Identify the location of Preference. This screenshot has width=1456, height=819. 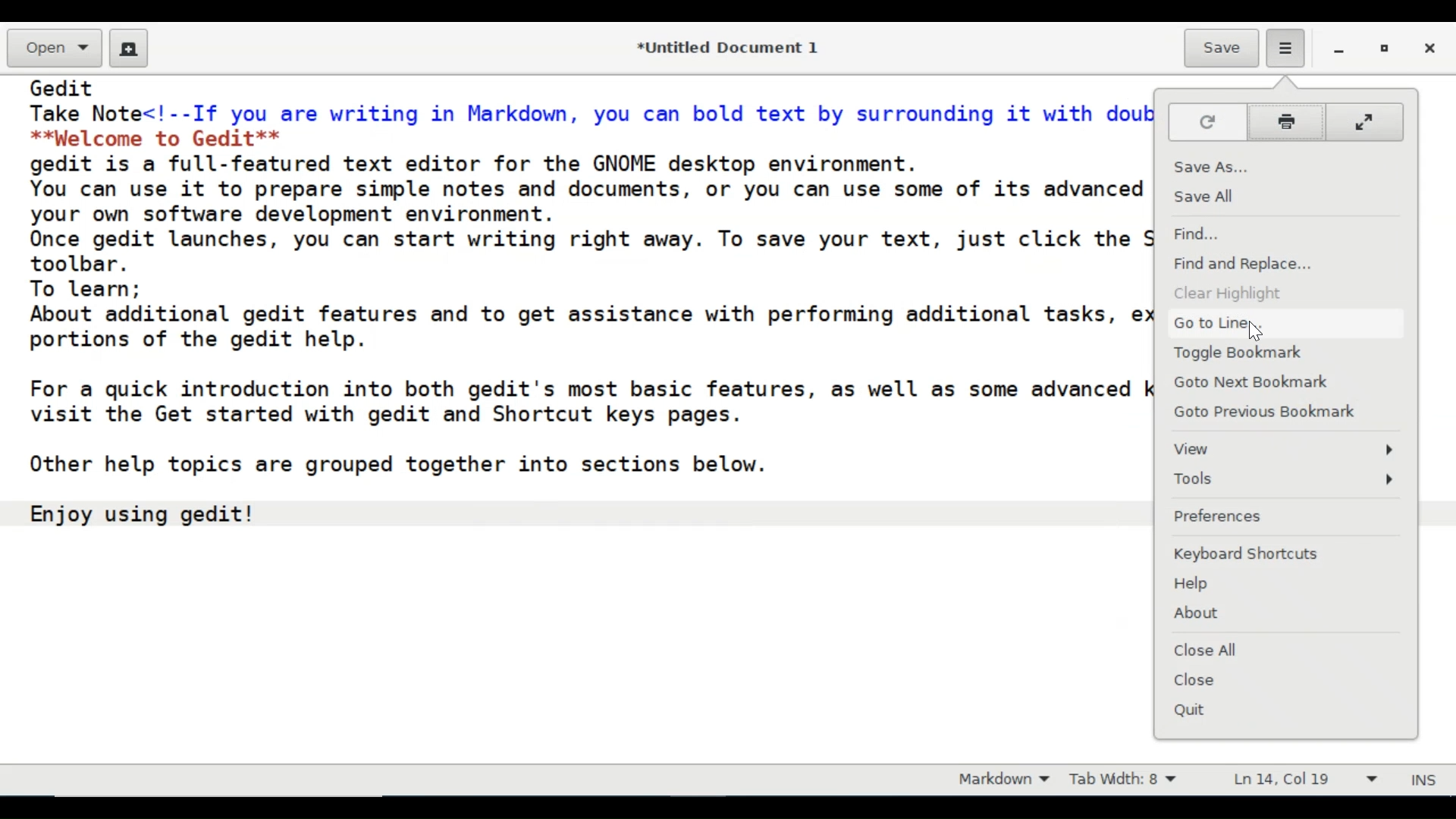
(1219, 516).